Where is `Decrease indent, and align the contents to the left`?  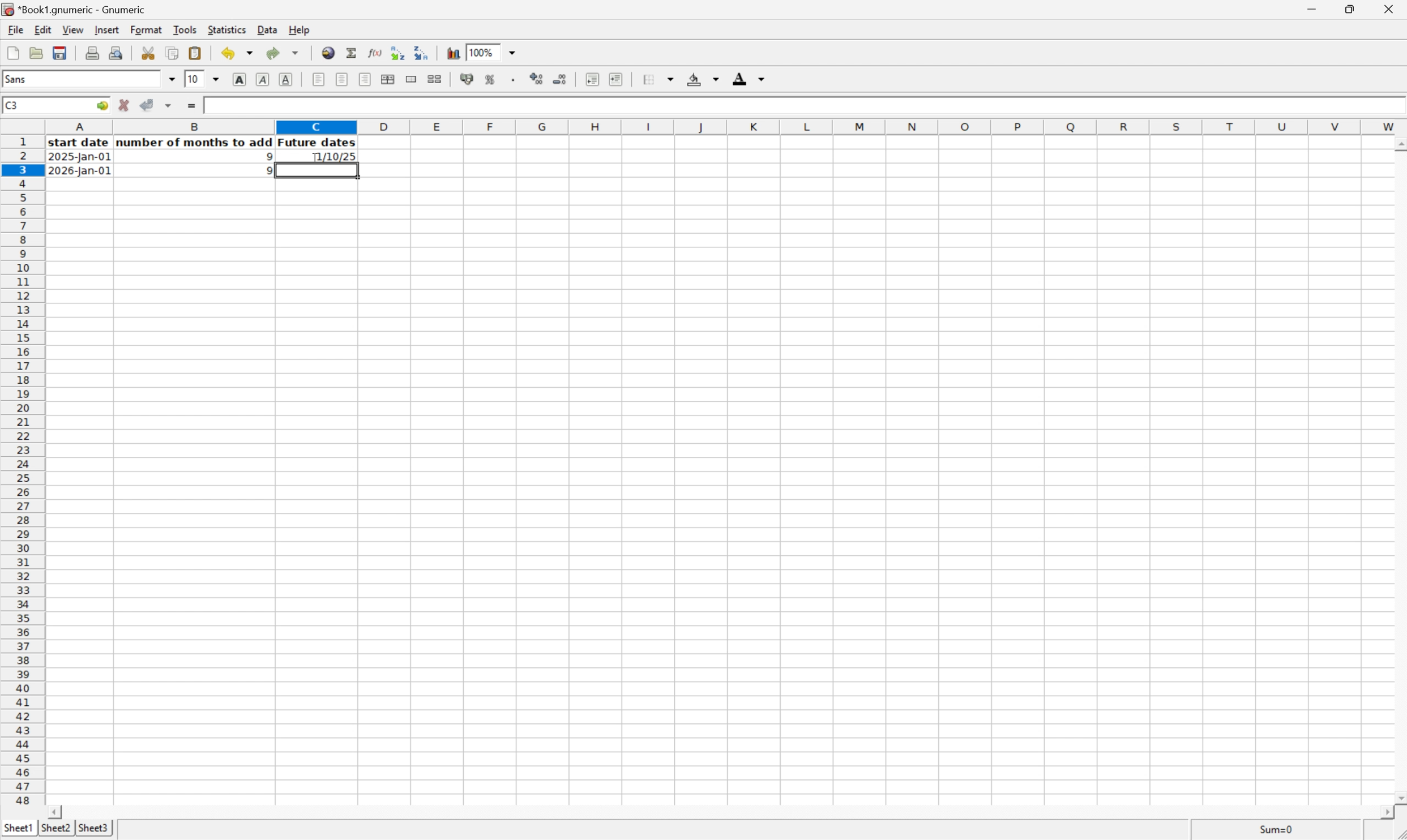 Decrease indent, and align the contents to the left is located at coordinates (590, 79).